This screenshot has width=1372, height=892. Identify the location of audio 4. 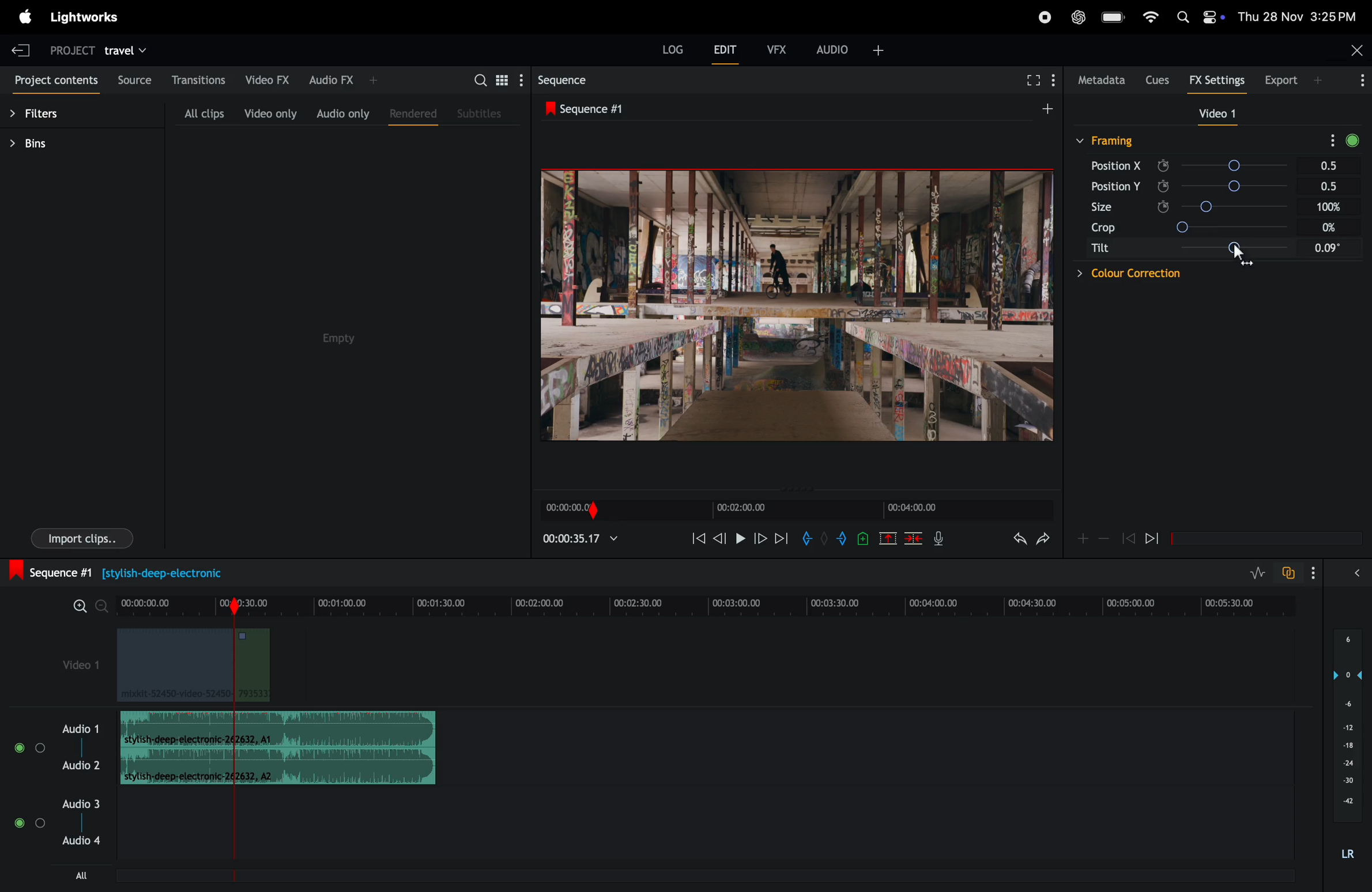
(81, 846).